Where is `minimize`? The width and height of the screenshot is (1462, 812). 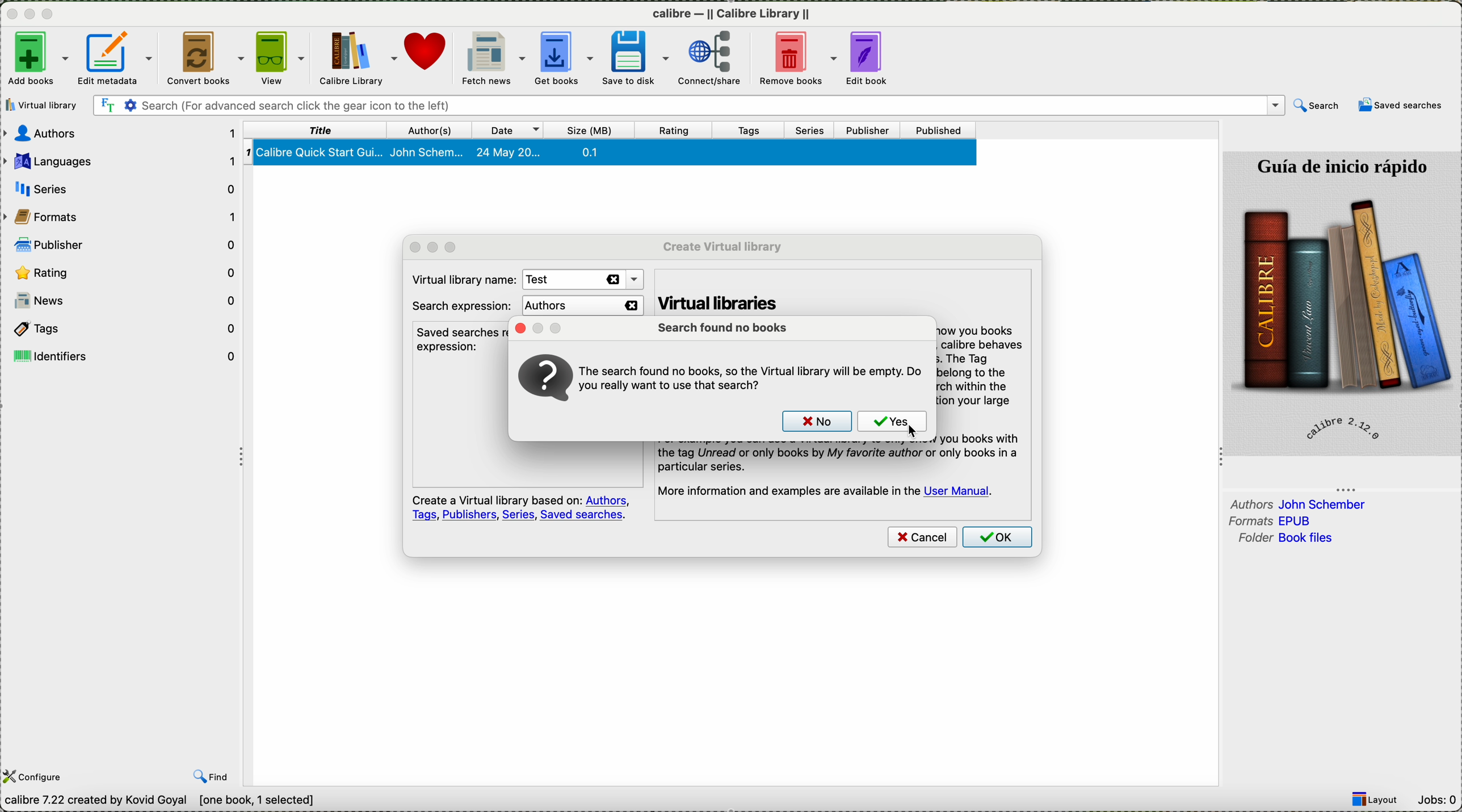 minimize is located at coordinates (539, 328).